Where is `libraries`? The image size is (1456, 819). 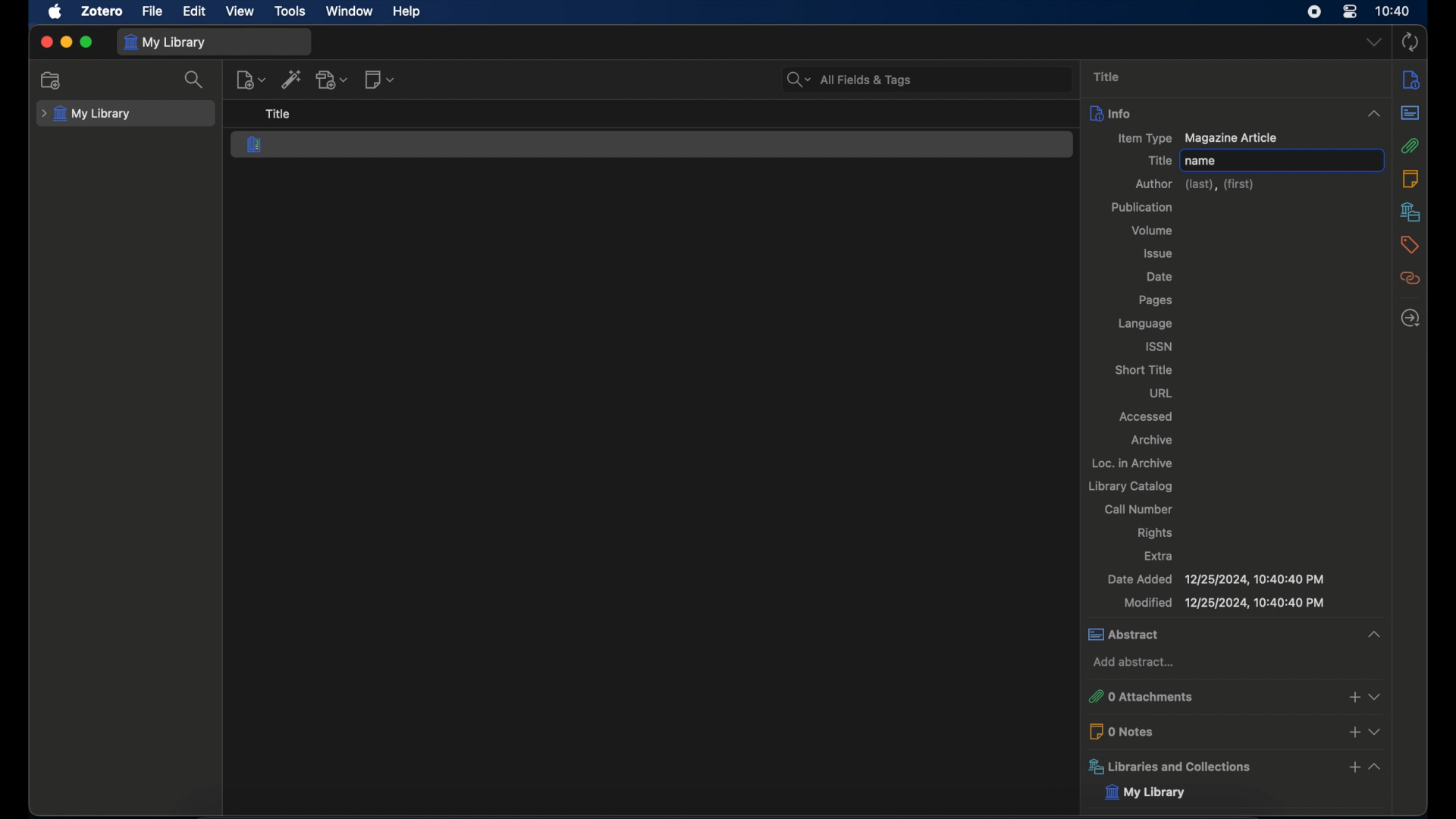 libraries is located at coordinates (1407, 212).